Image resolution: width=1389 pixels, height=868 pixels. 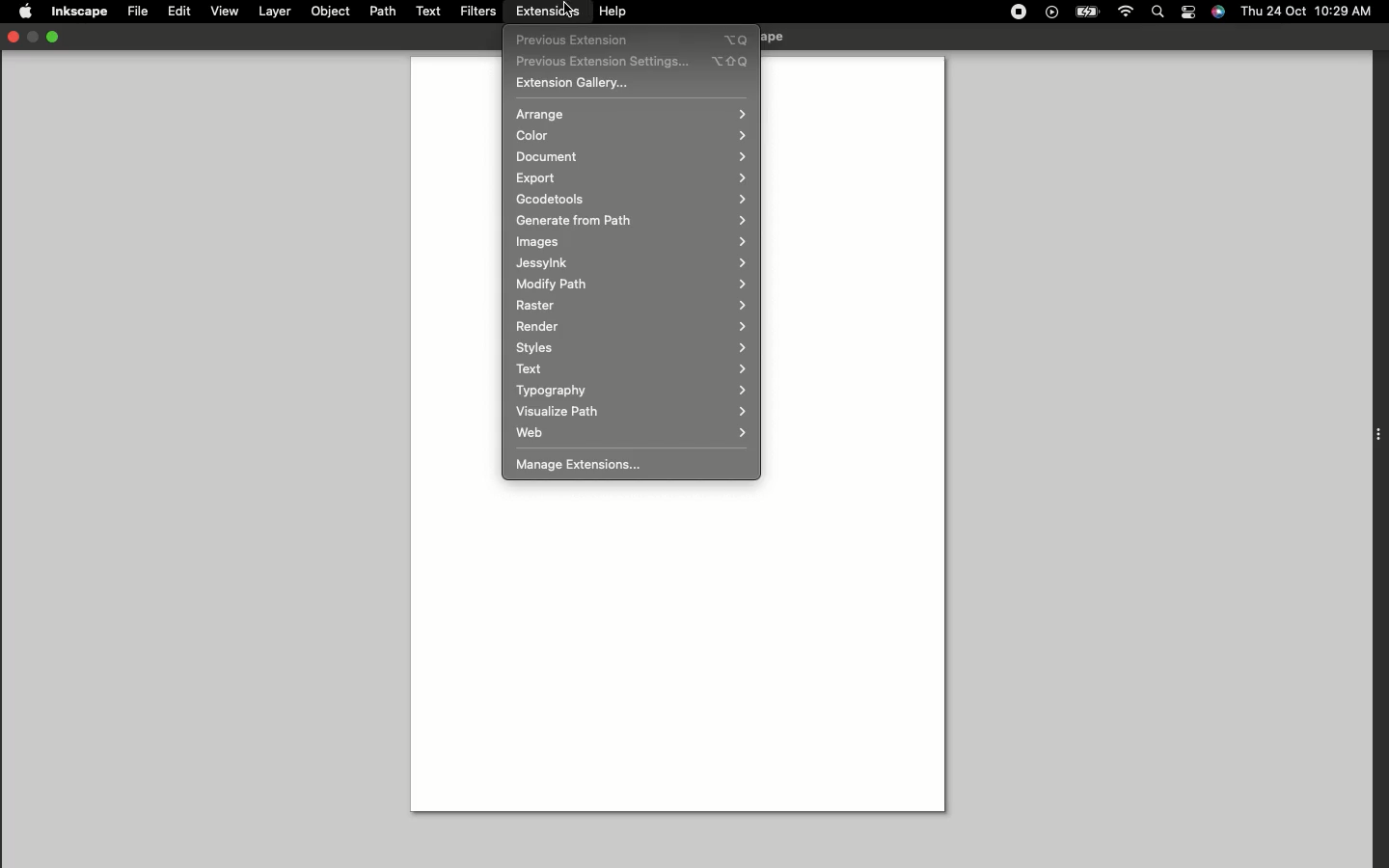 What do you see at coordinates (15, 39) in the screenshot?
I see `Close` at bounding box center [15, 39].